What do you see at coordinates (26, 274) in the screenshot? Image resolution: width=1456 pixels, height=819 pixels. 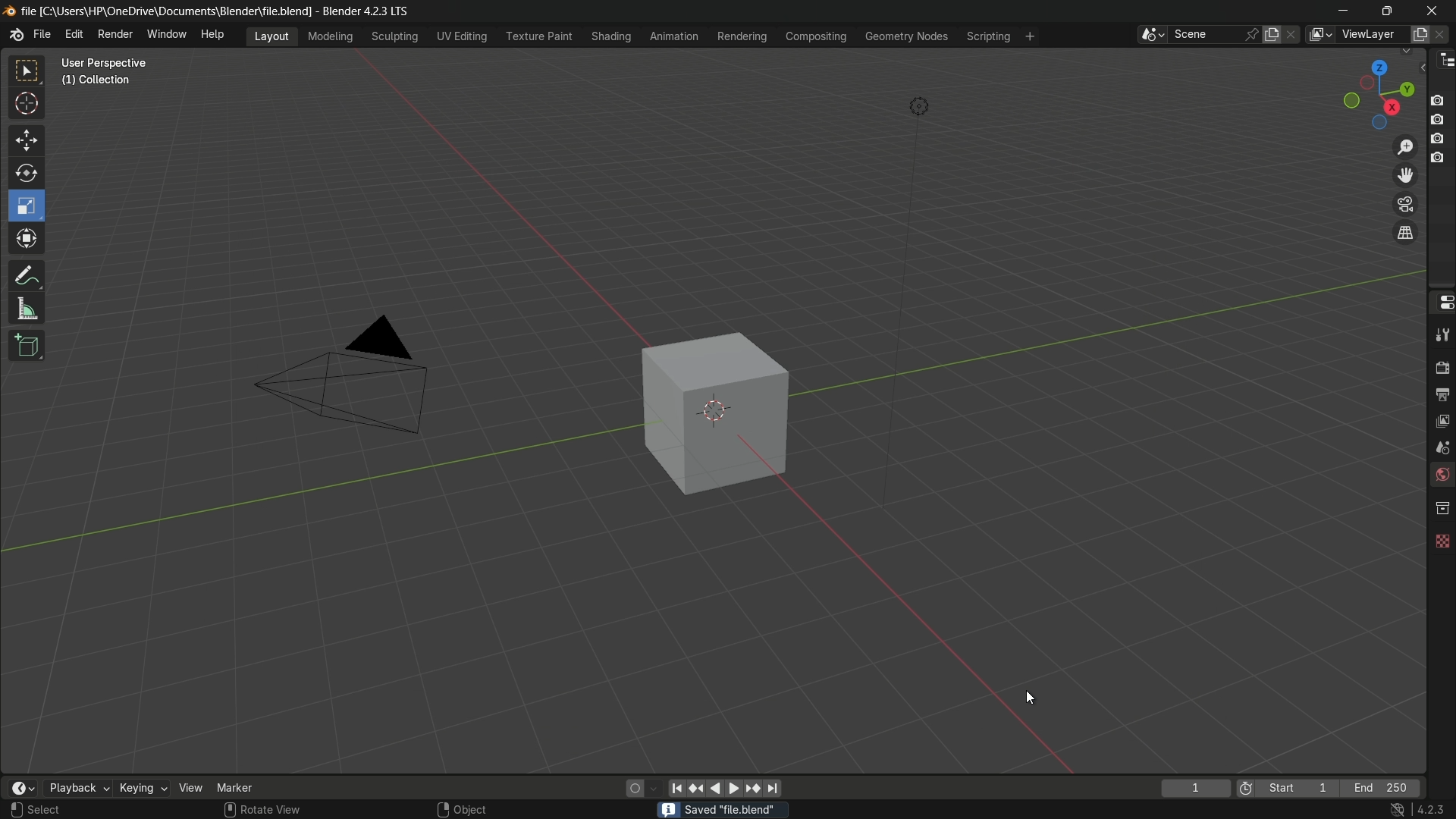 I see `annotate` at bounding box center [26, 274].